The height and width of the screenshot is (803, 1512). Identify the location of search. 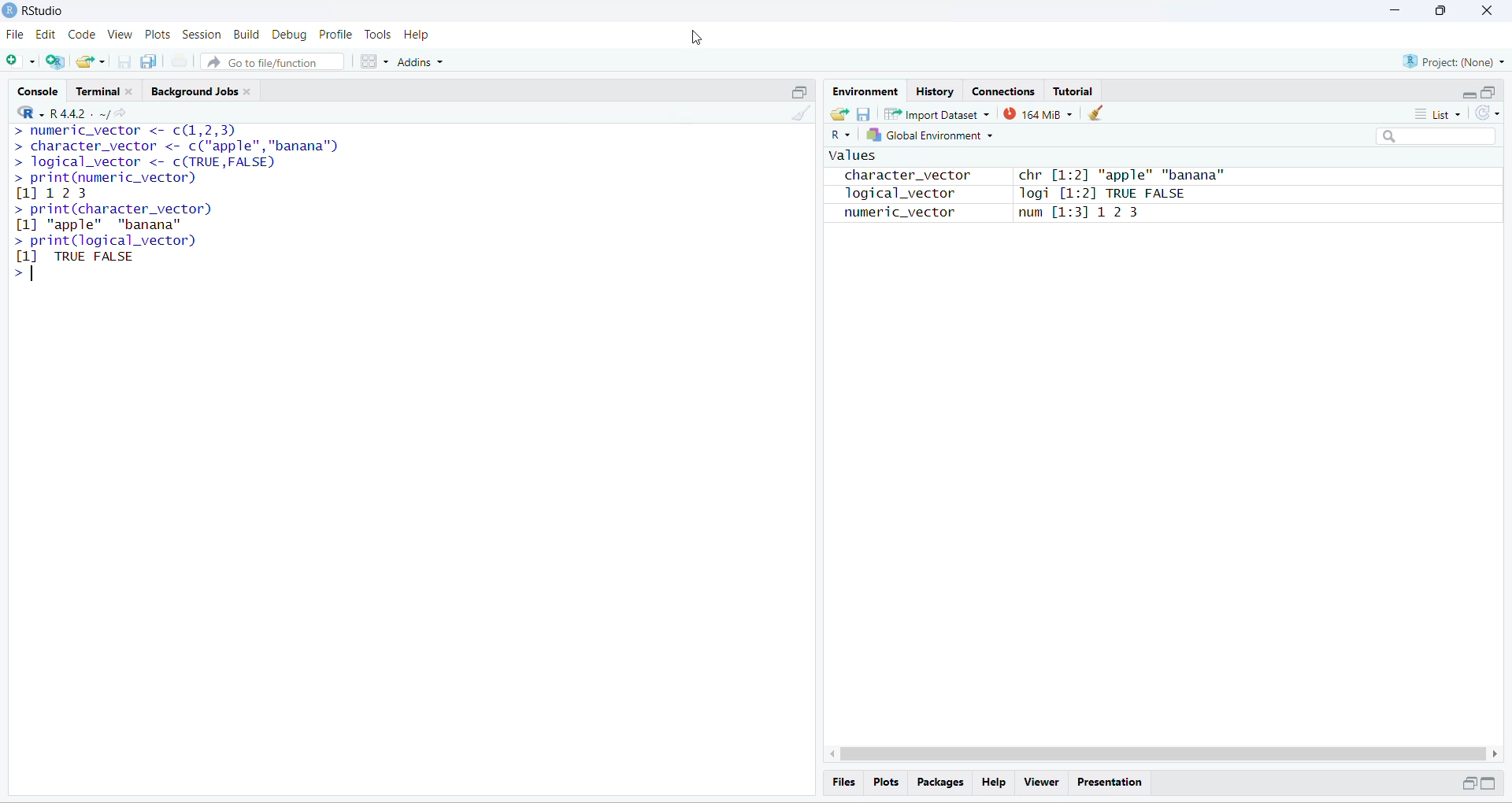
(1438, 137).